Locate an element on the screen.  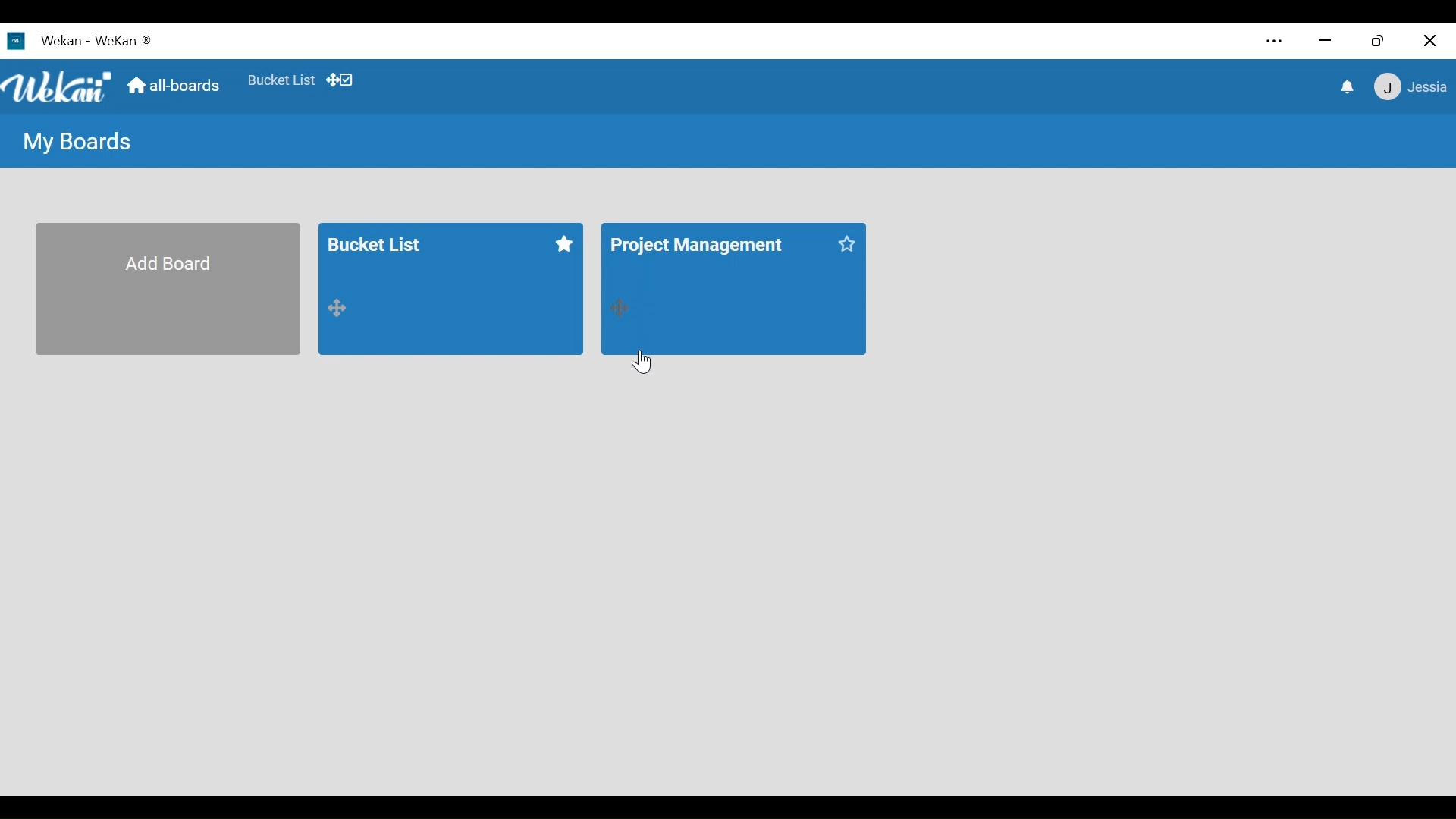
minimize is located at coordinates (1323, 42).